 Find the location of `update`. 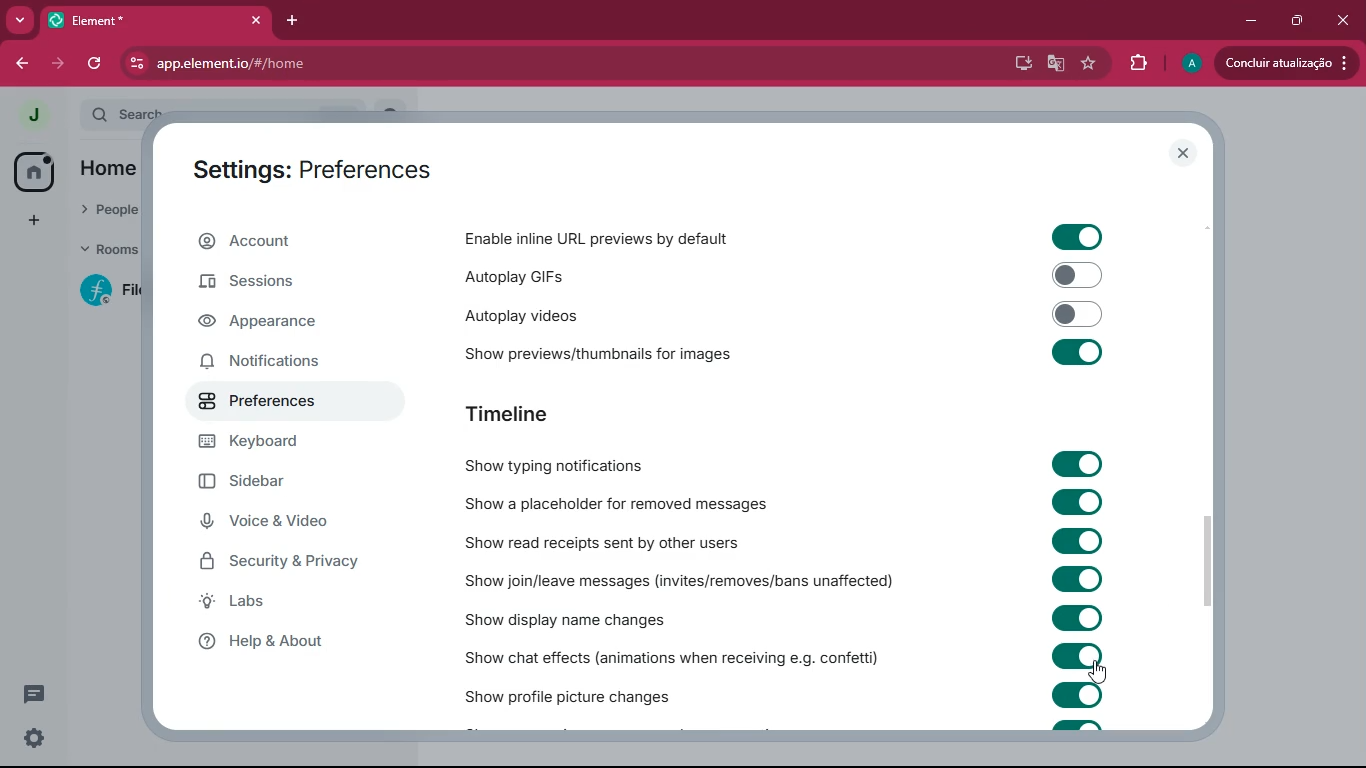

update is located at coordinates (1287, 63).